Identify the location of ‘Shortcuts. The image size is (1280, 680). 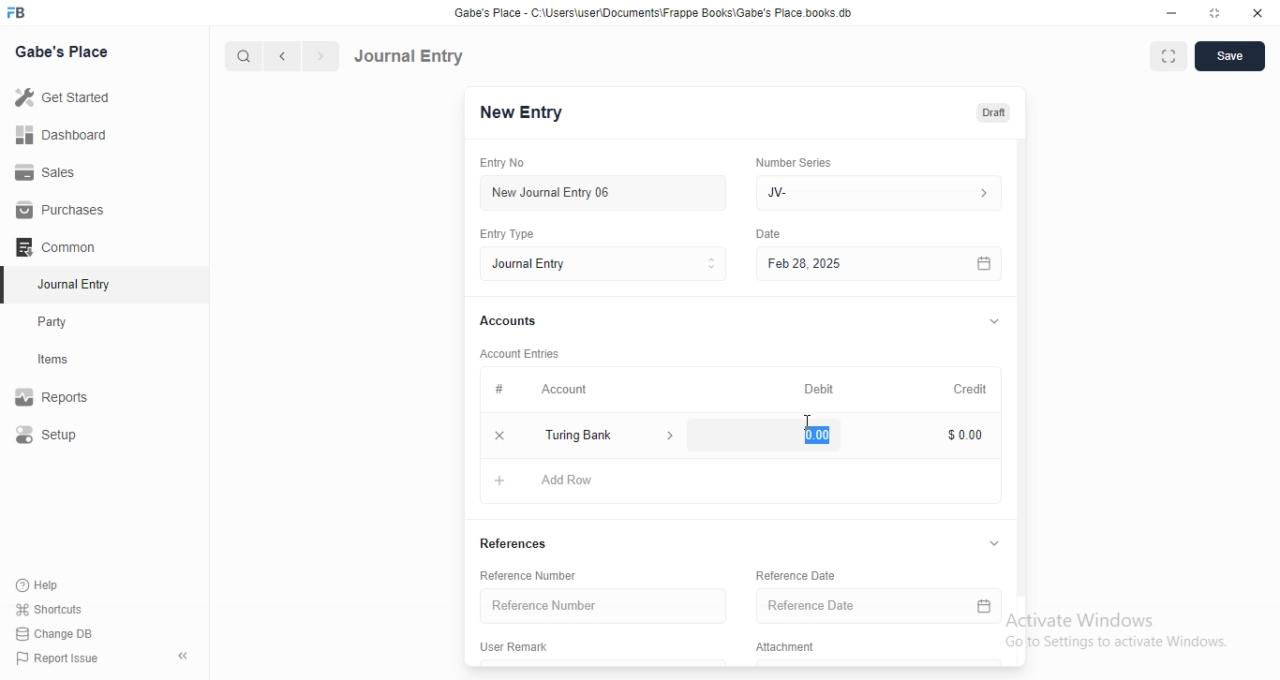
(62, 609).